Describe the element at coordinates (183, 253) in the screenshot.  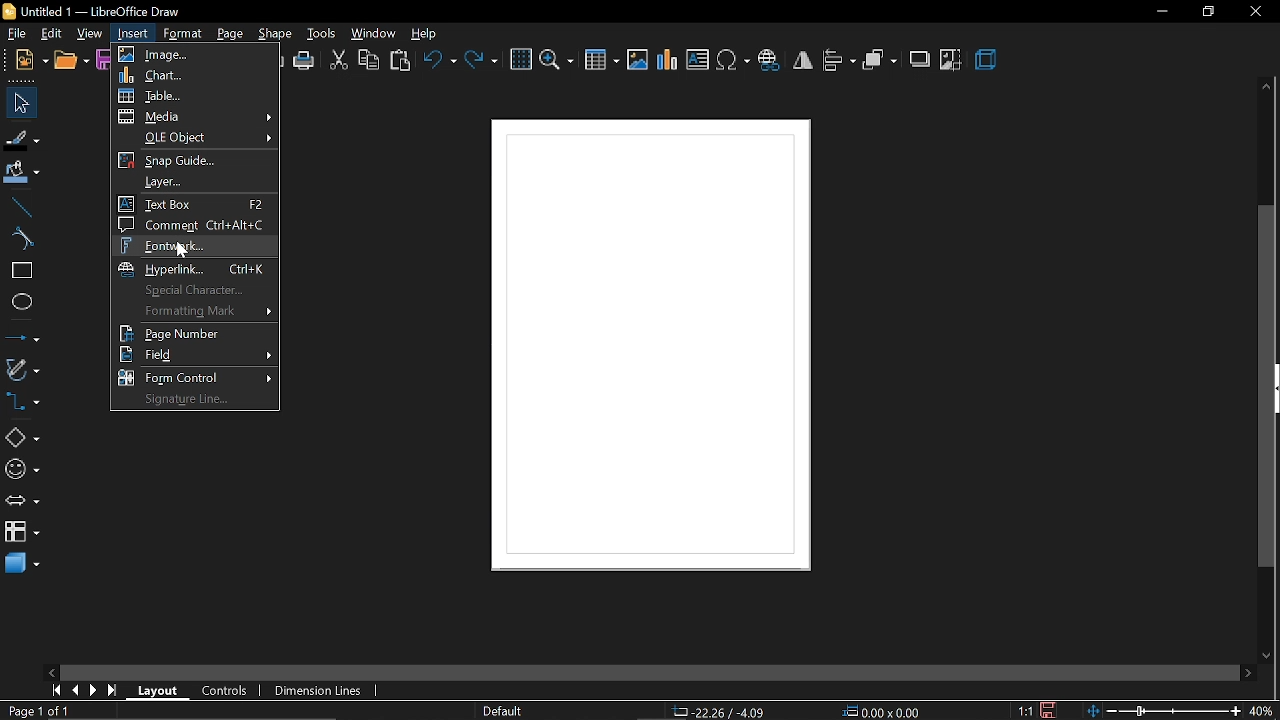
I see `Cursor` at that location.